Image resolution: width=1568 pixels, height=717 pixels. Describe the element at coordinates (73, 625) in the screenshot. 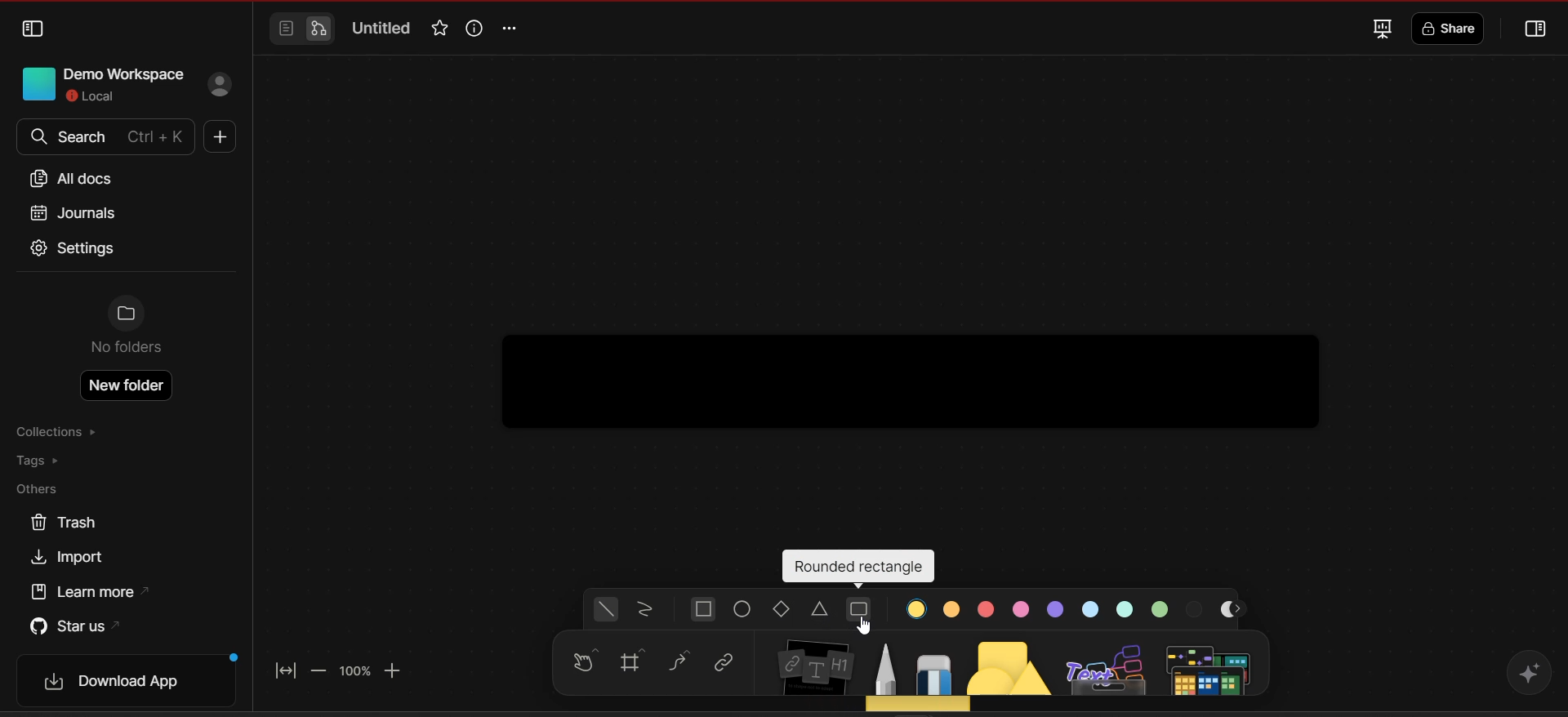

I see `star us` at that location.